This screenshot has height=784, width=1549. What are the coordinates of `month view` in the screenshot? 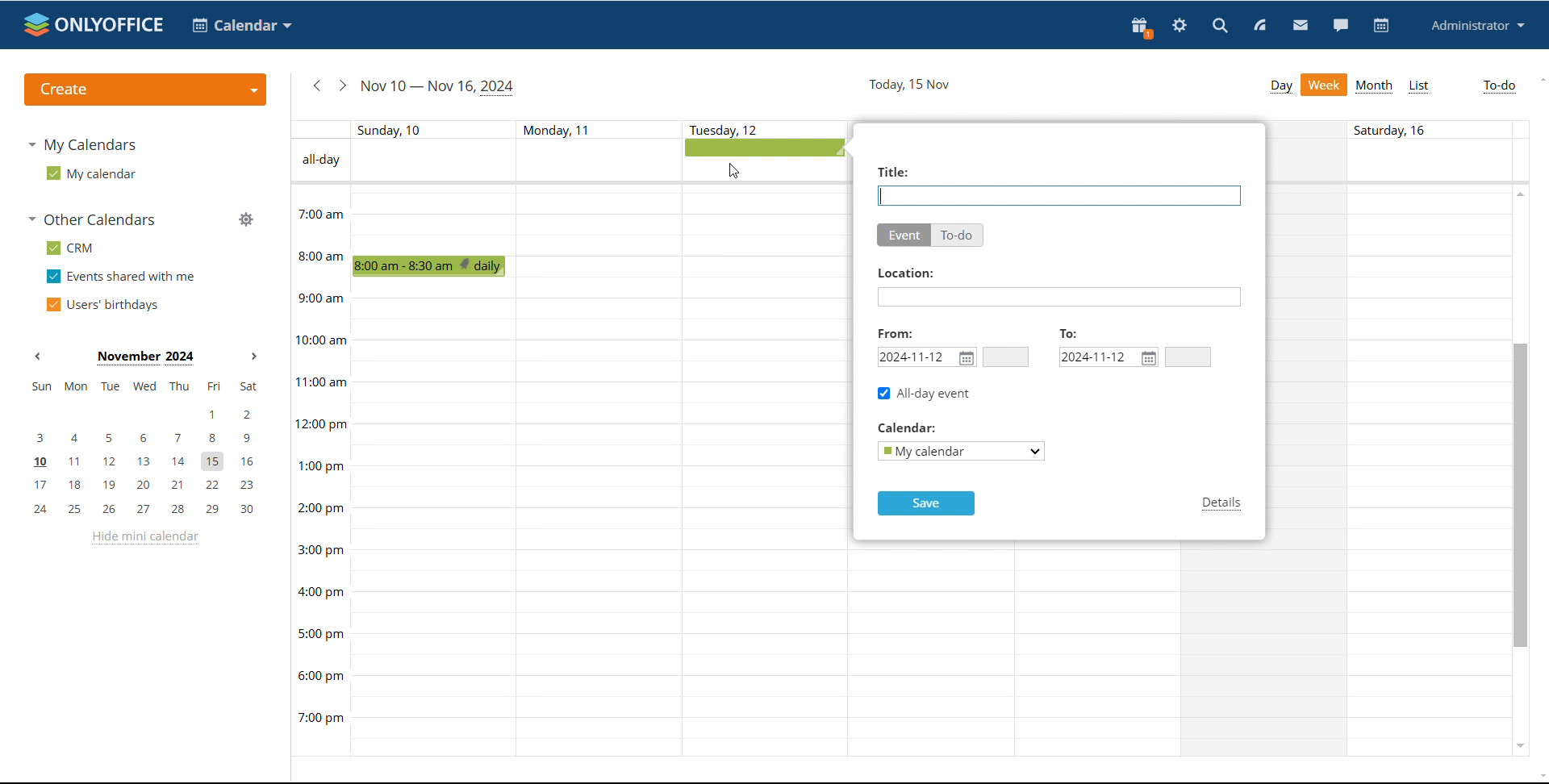 It's located at (1375, 87).